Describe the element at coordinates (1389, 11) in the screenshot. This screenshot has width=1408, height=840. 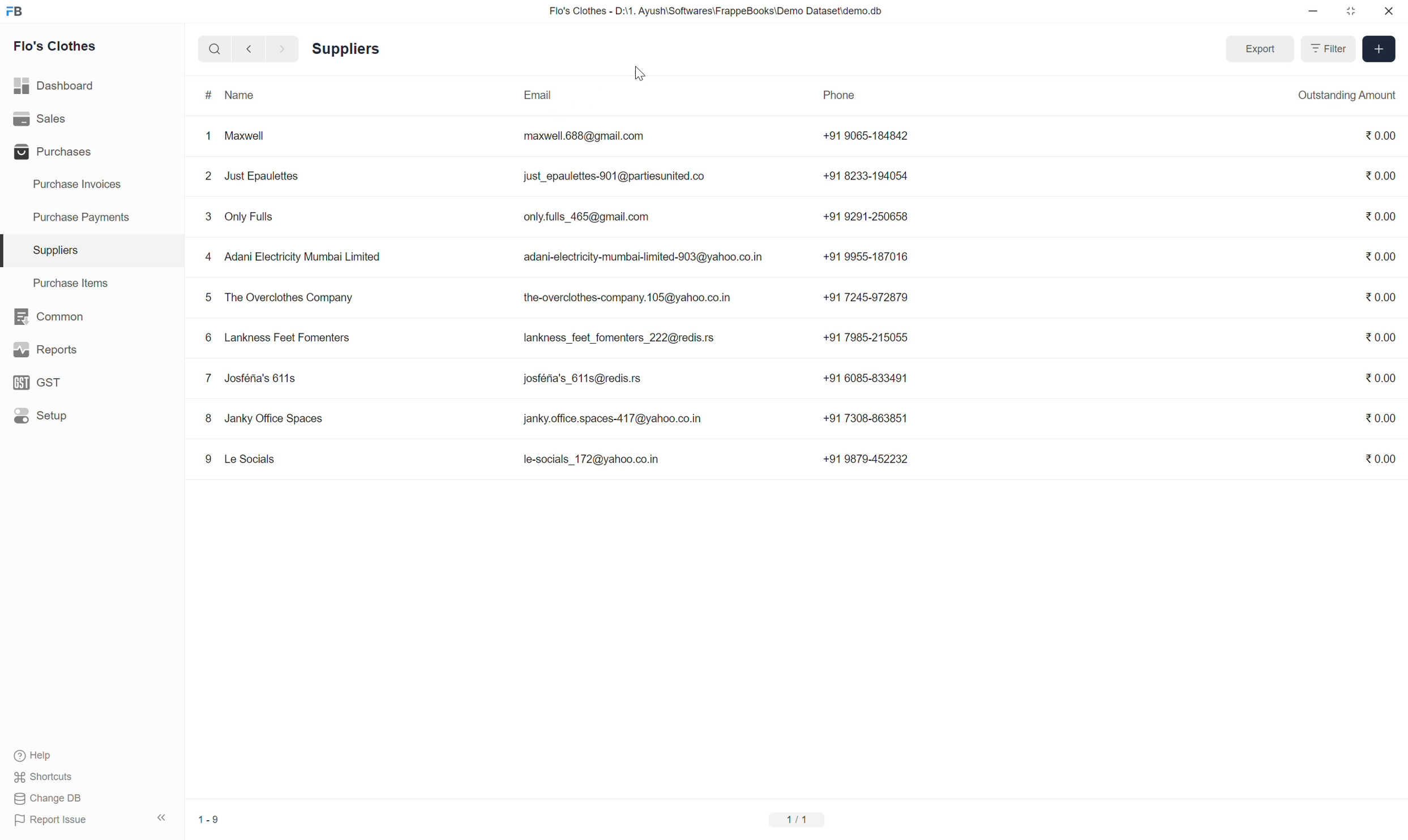
I see `close` at that location.